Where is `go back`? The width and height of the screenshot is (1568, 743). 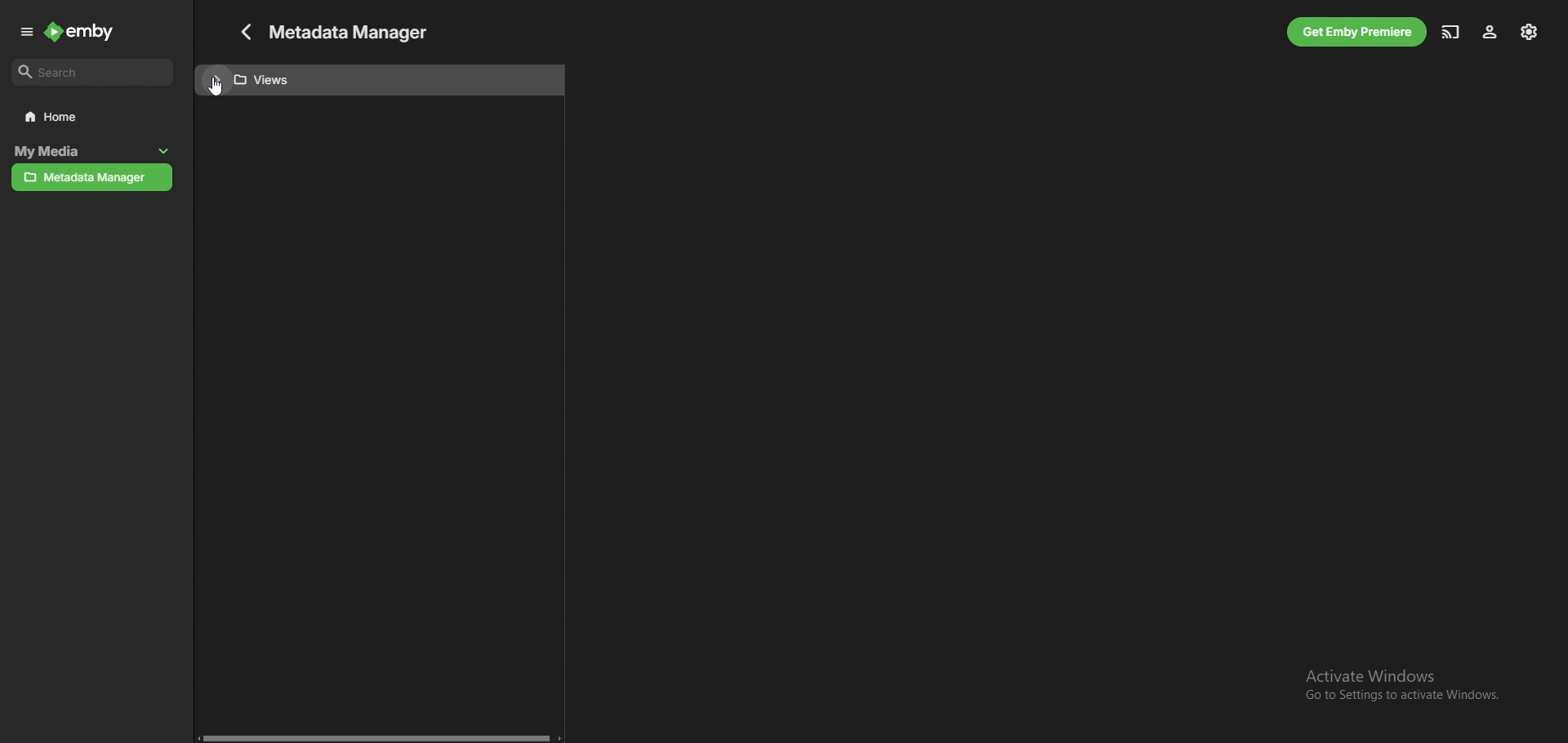 go back is located at coordinates (243, 32).